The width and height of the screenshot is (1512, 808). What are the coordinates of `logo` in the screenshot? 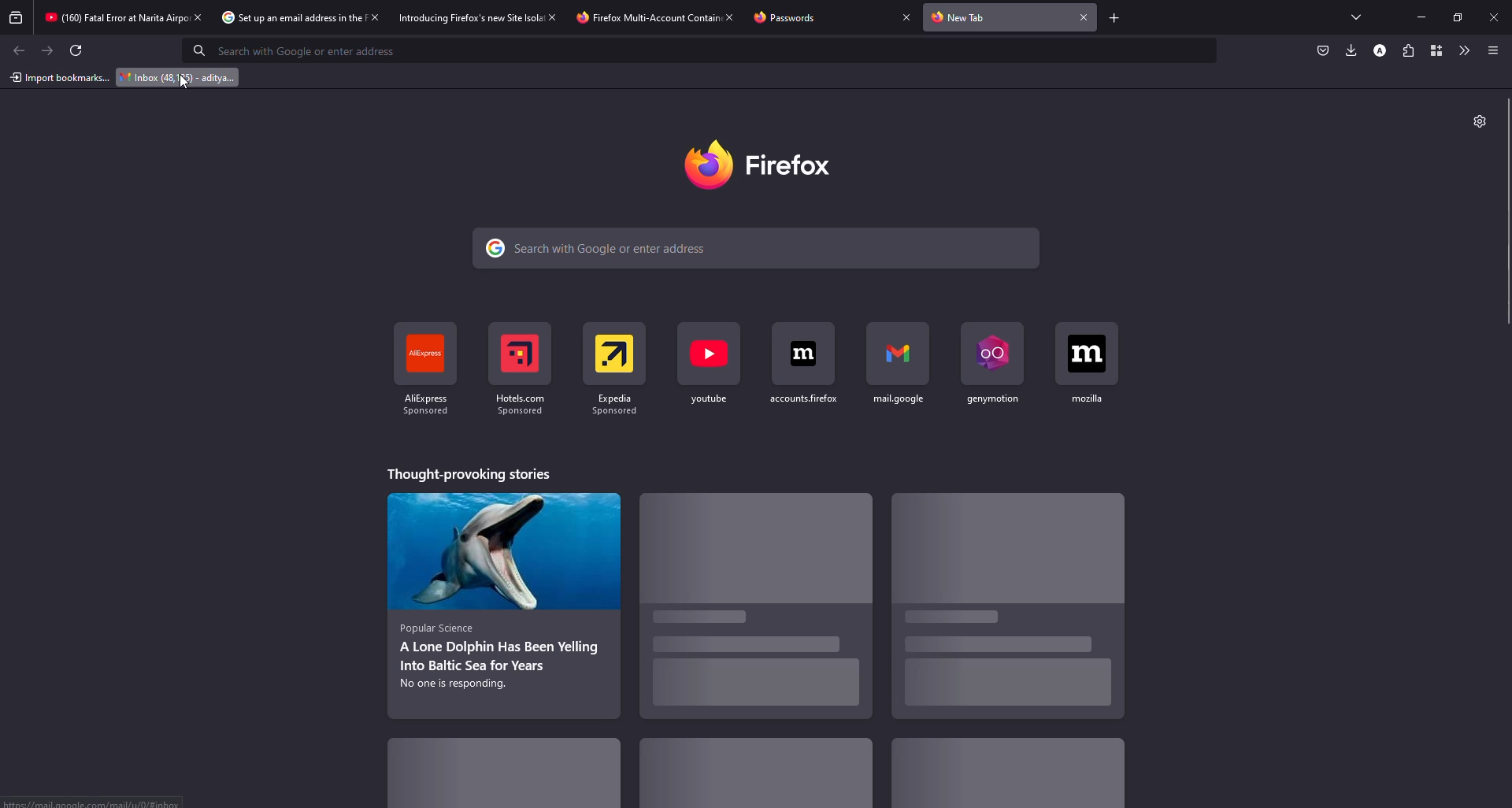 It's located at (703, 163).